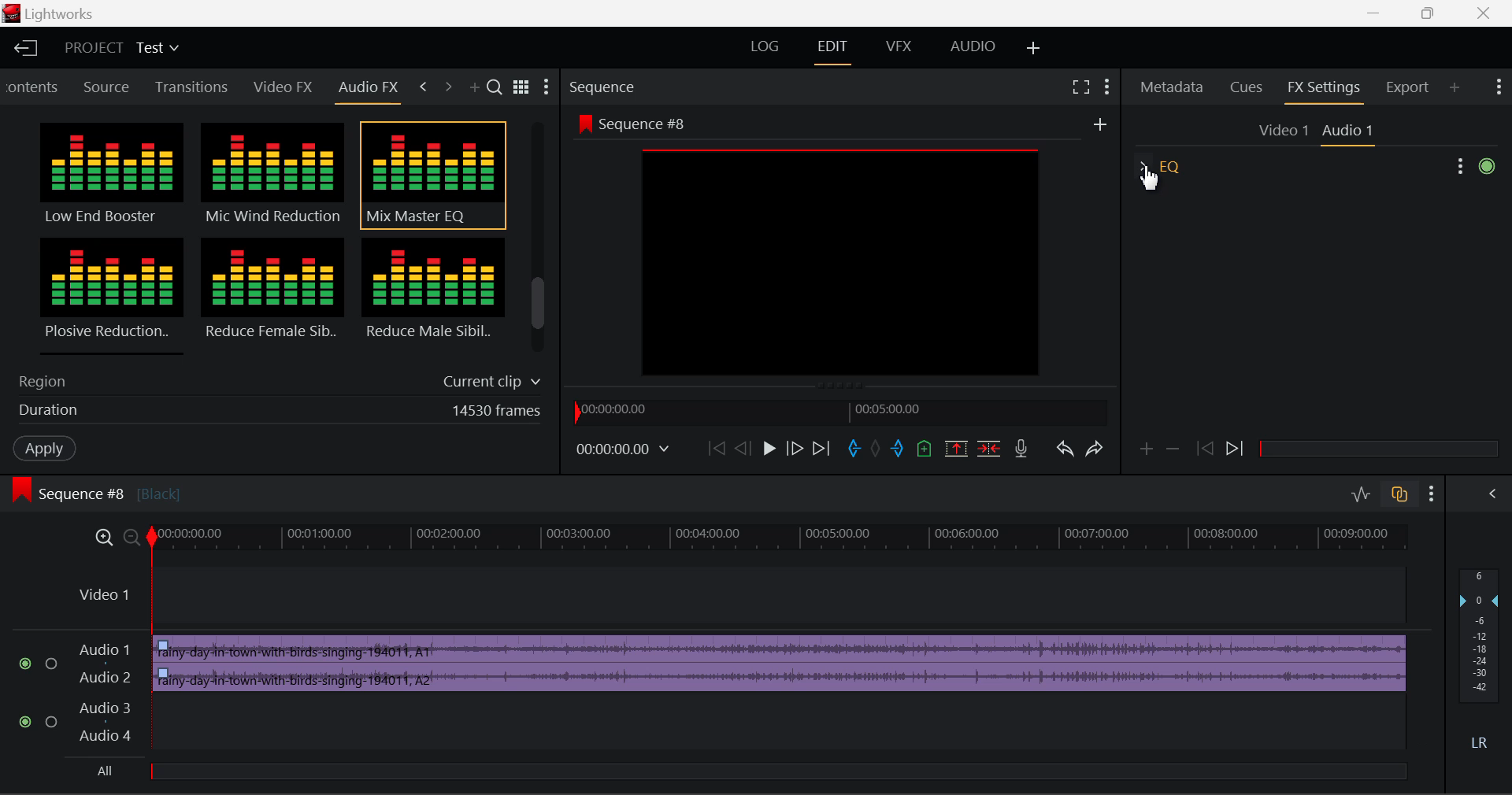  What do you see at coordinates (794, 449) in the screenshot?
I see `Go Forward` at bounding box center [794, 449].